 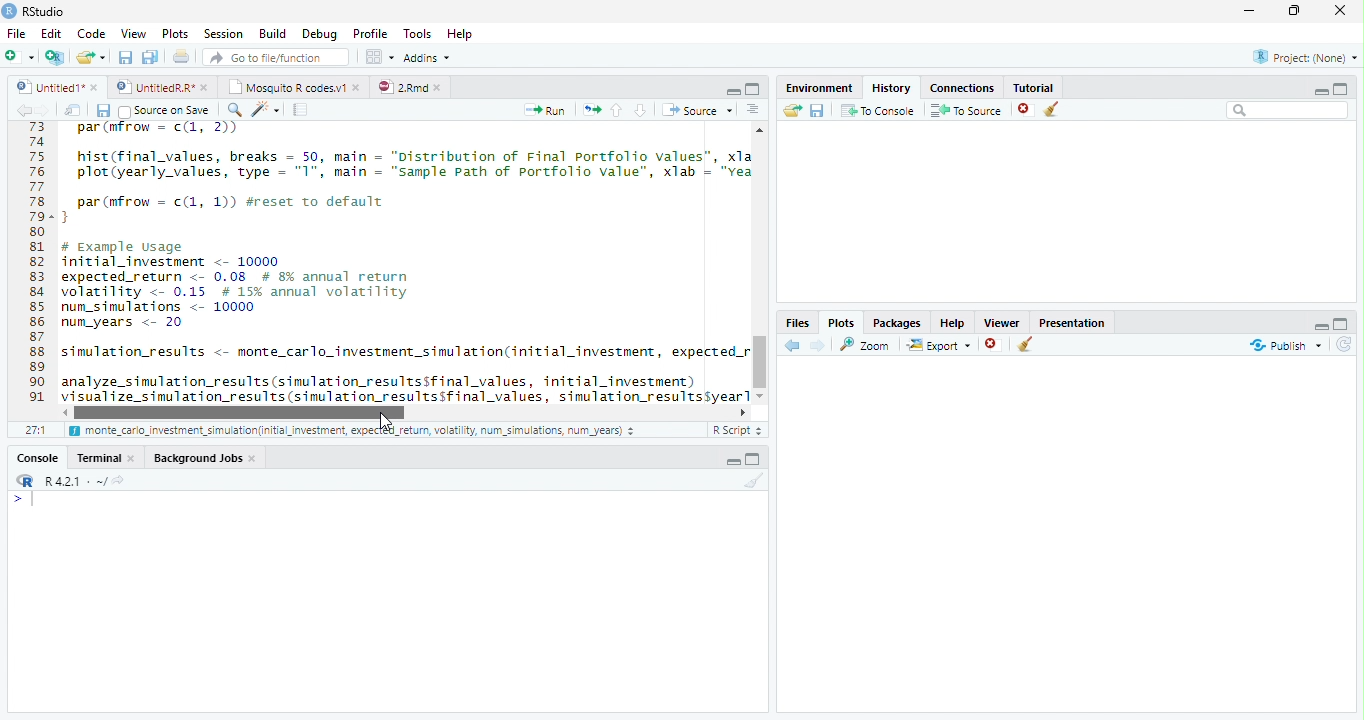 What do you see at coordinates (273, 34) in the screenshot?
I see `Build` at bounding box center [273, 34].